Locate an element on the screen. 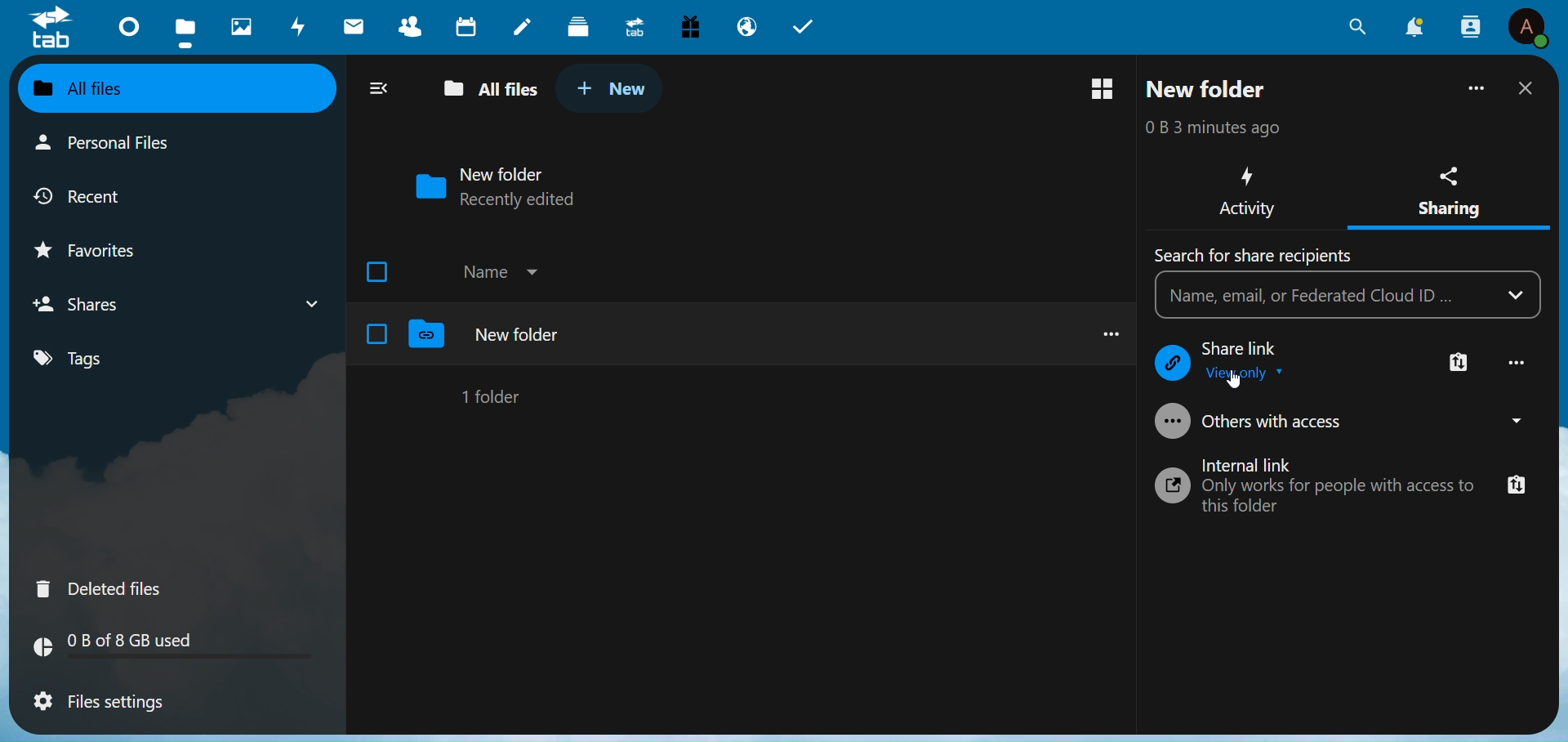 Image resolution: width=1568 pixels, height=742 pixels. View Only is located at coordinates (1253, 374).